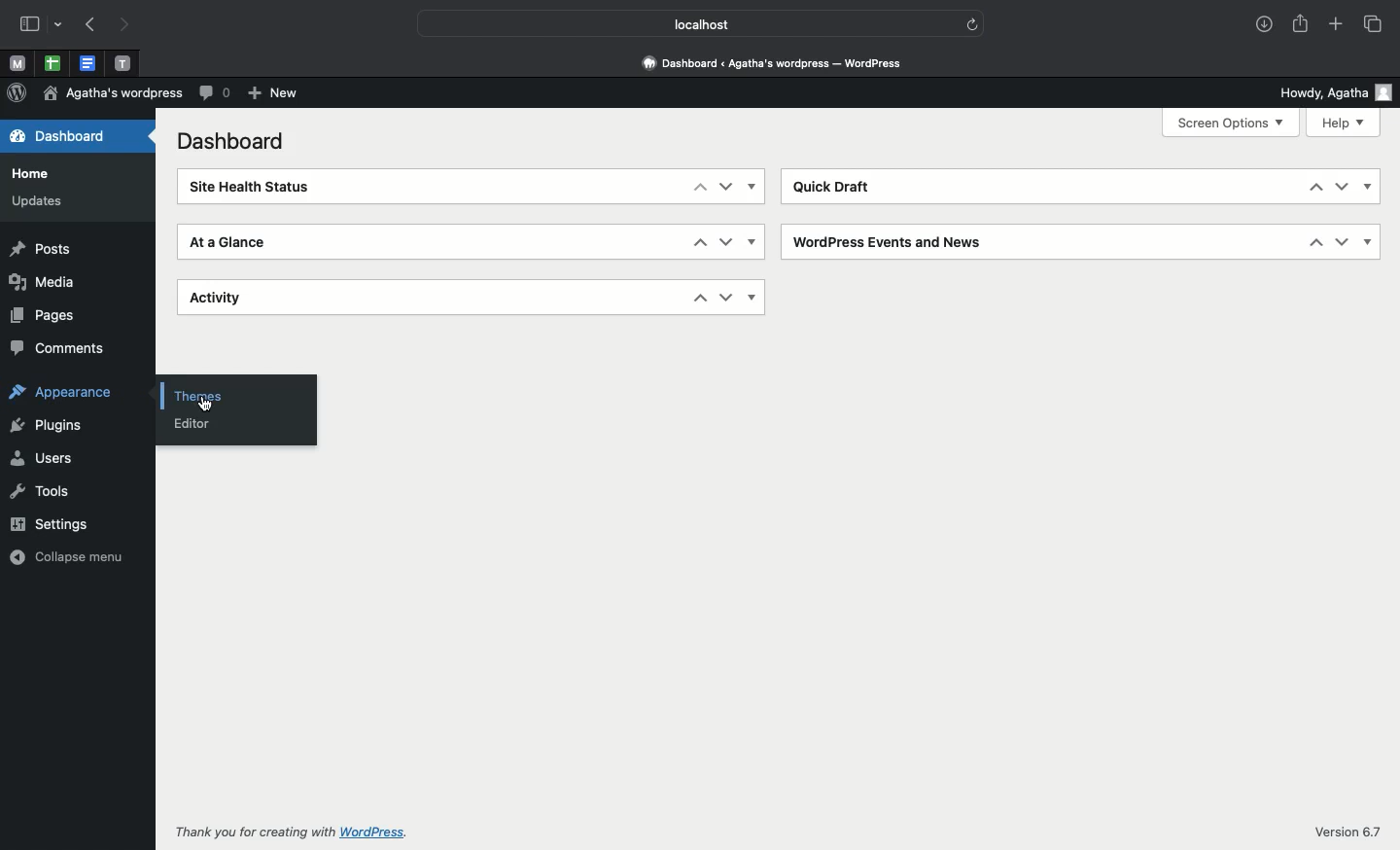 Image resolution: width=1400 pixels, height=850 pixels. Describe the element at coordinates (699, 243) in the screenshot. I see `Up` at that location.